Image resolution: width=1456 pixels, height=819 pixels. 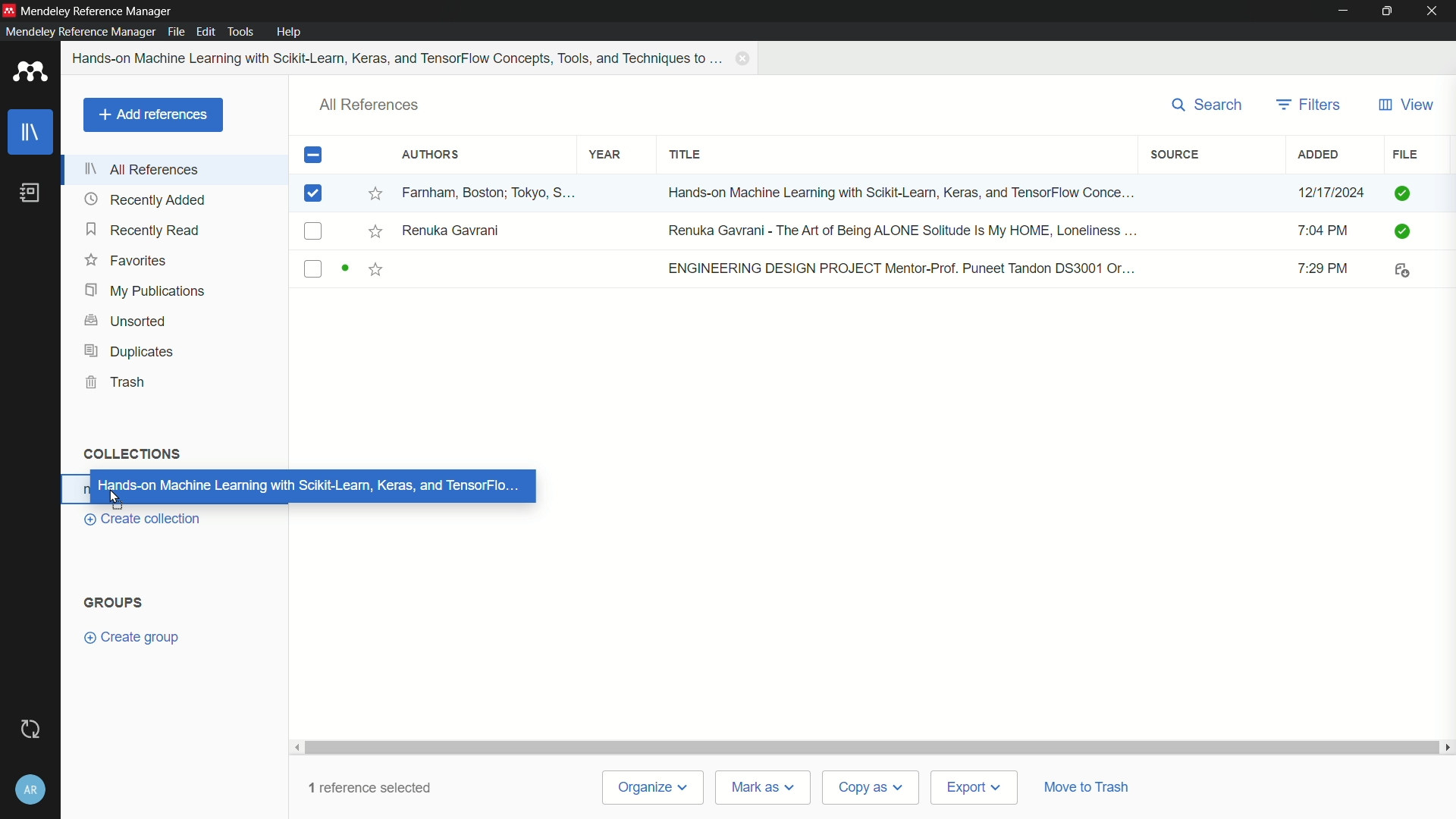 What do you see at coordinates (80, 31) in the screenshot?
I see `mendeley reference manager` at bounding box center [80, 31].